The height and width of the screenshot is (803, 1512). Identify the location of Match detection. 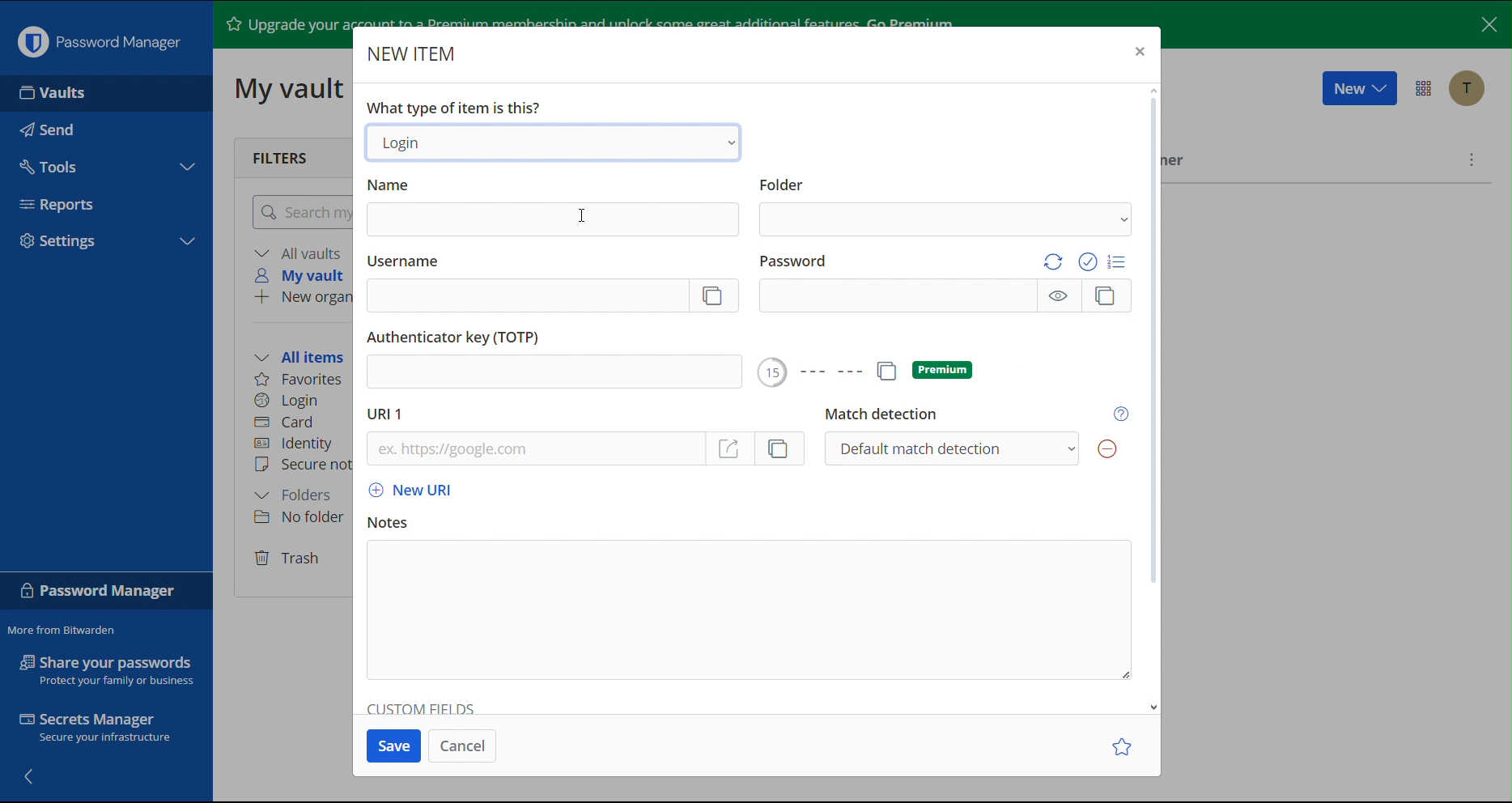
(979, 435).